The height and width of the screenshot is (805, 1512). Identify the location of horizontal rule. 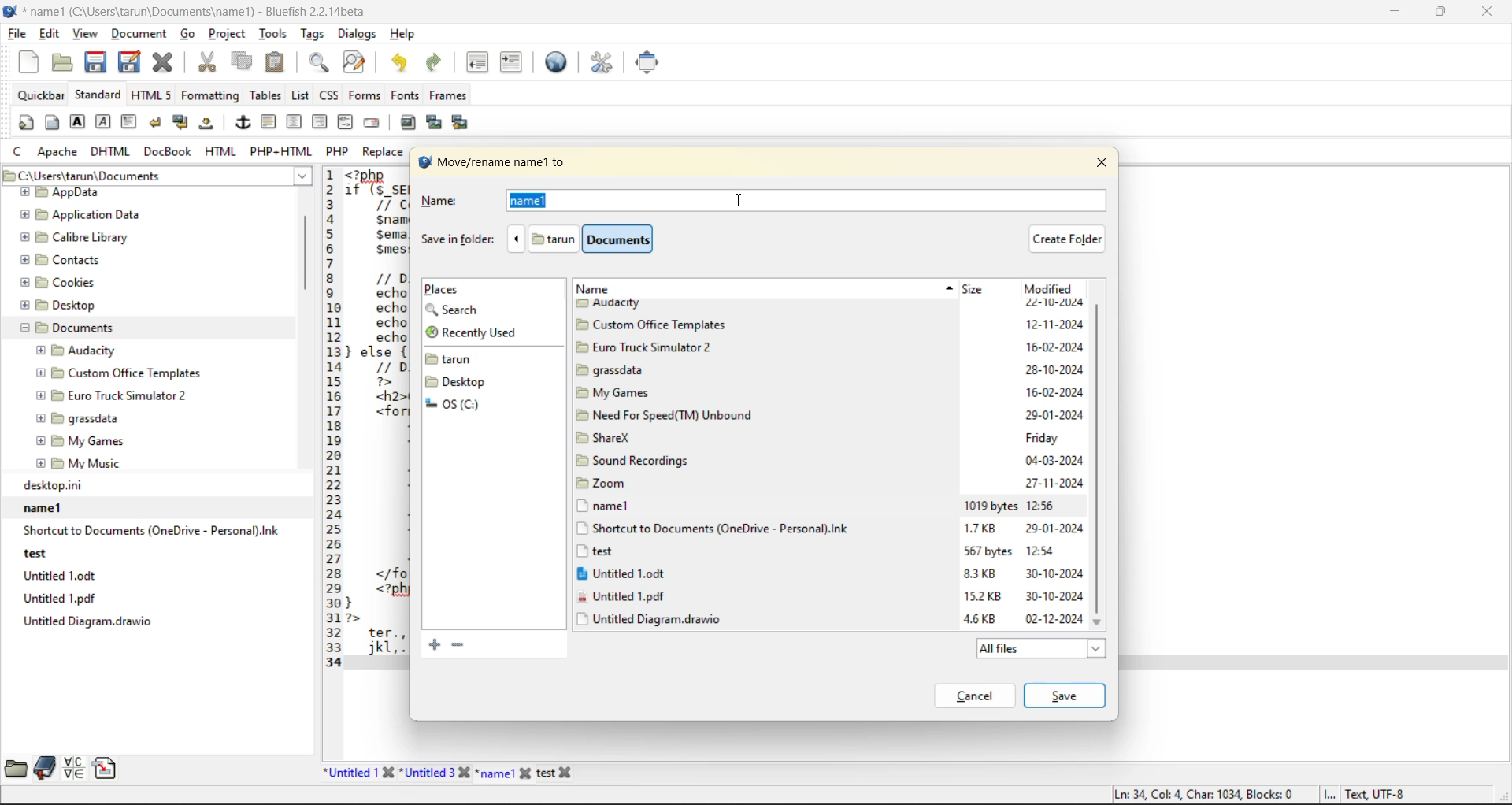
(267, 123).